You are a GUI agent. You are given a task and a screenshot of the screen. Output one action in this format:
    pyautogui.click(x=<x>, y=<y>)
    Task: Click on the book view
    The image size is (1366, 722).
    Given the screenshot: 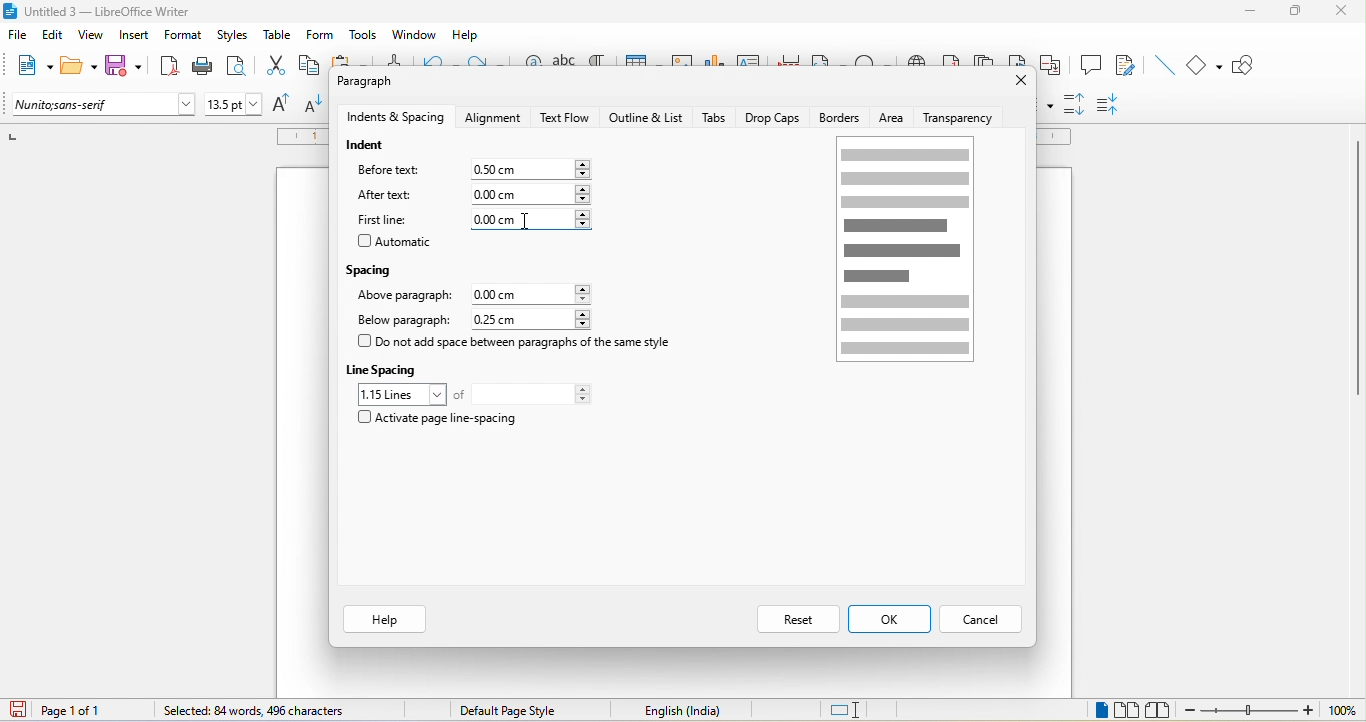 What is the action you would take?
    pyautogui.click(x=1162, y=710)
    